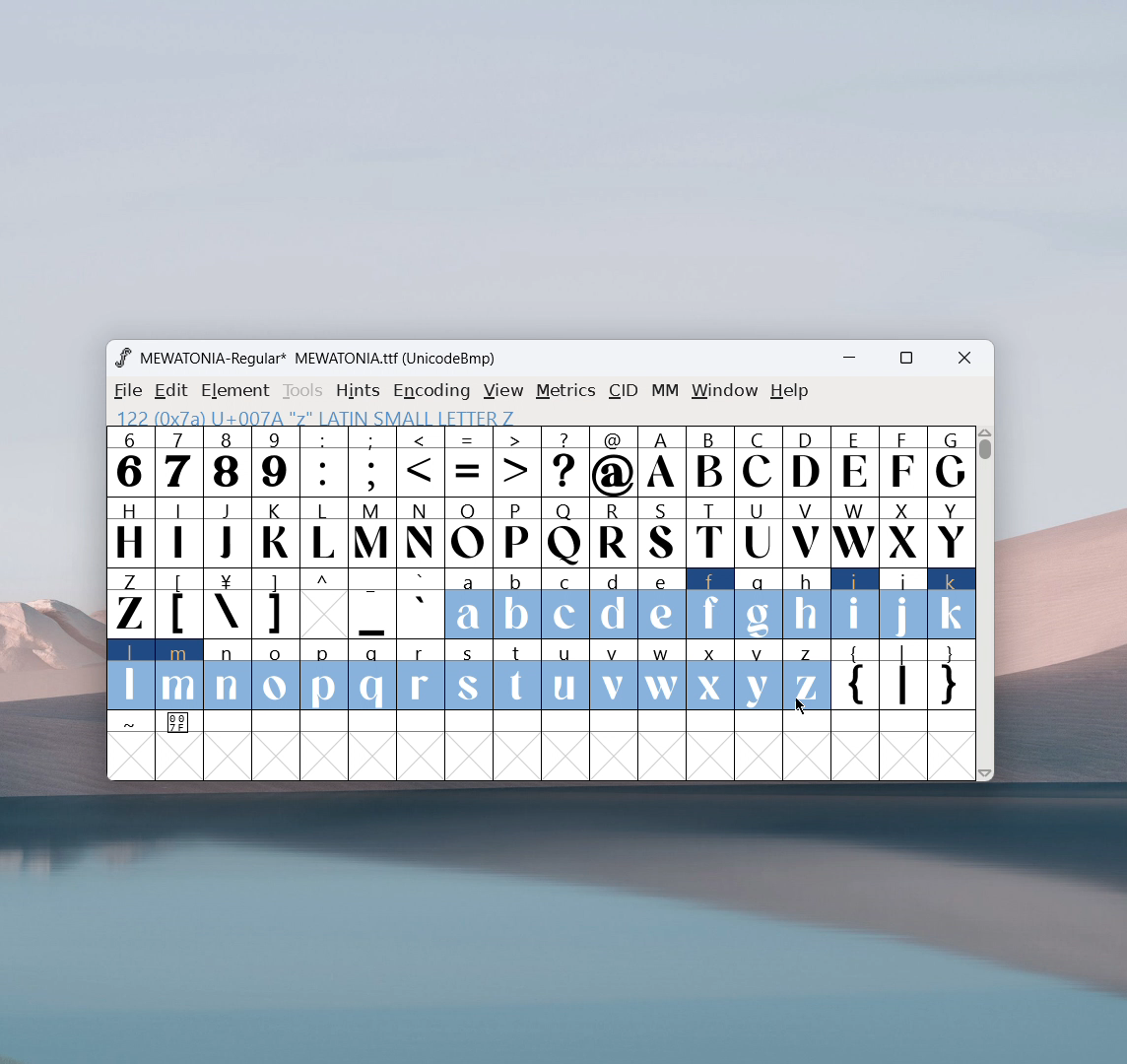  What do you see at coordinates (623, 391) in the screenshot?
I see `cid` at bounding box center [623, 391].